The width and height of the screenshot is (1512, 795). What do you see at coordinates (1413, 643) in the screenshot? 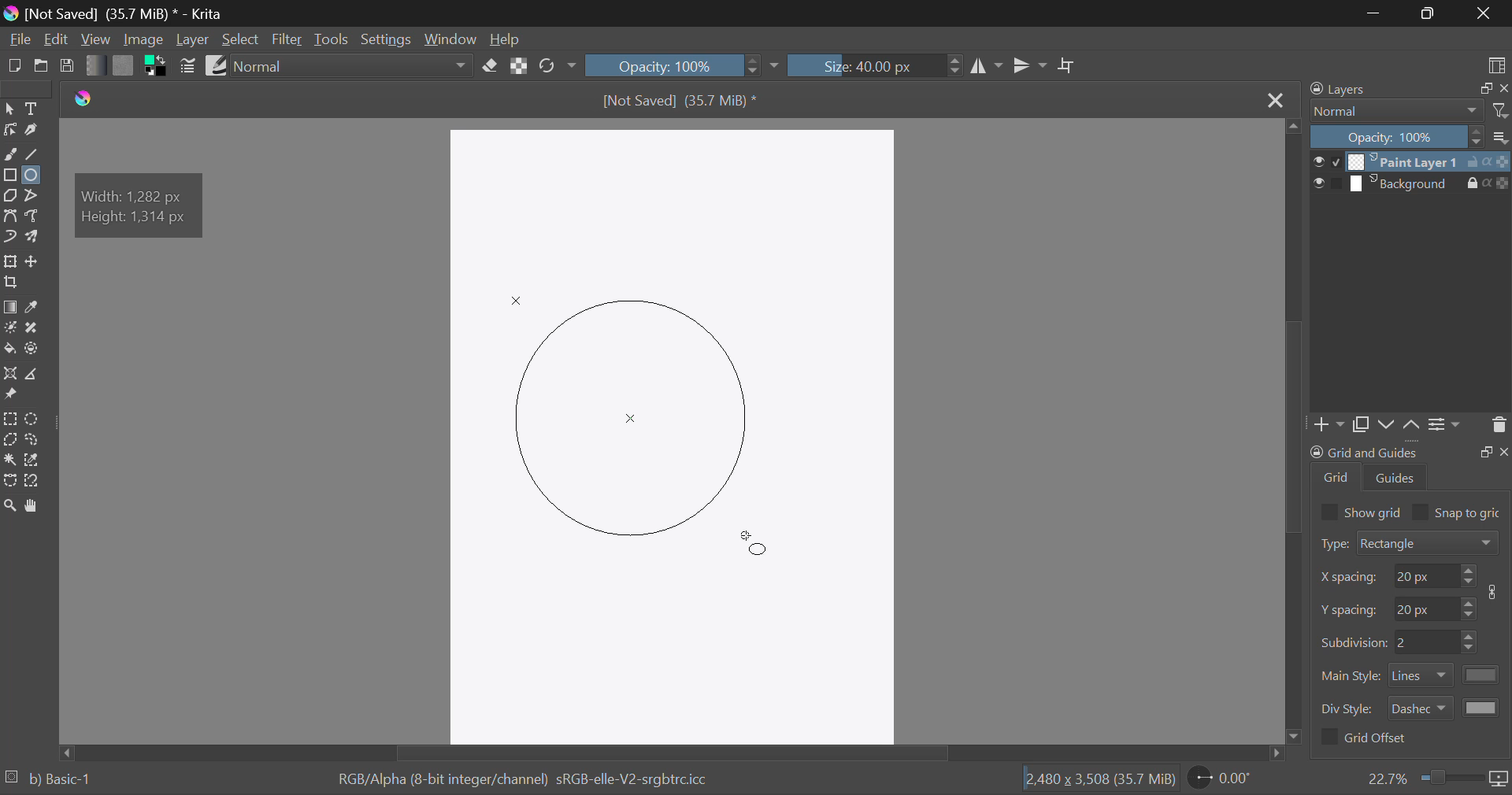
I see `Grid Characteristic Input` at bounding box center [1413, 643].